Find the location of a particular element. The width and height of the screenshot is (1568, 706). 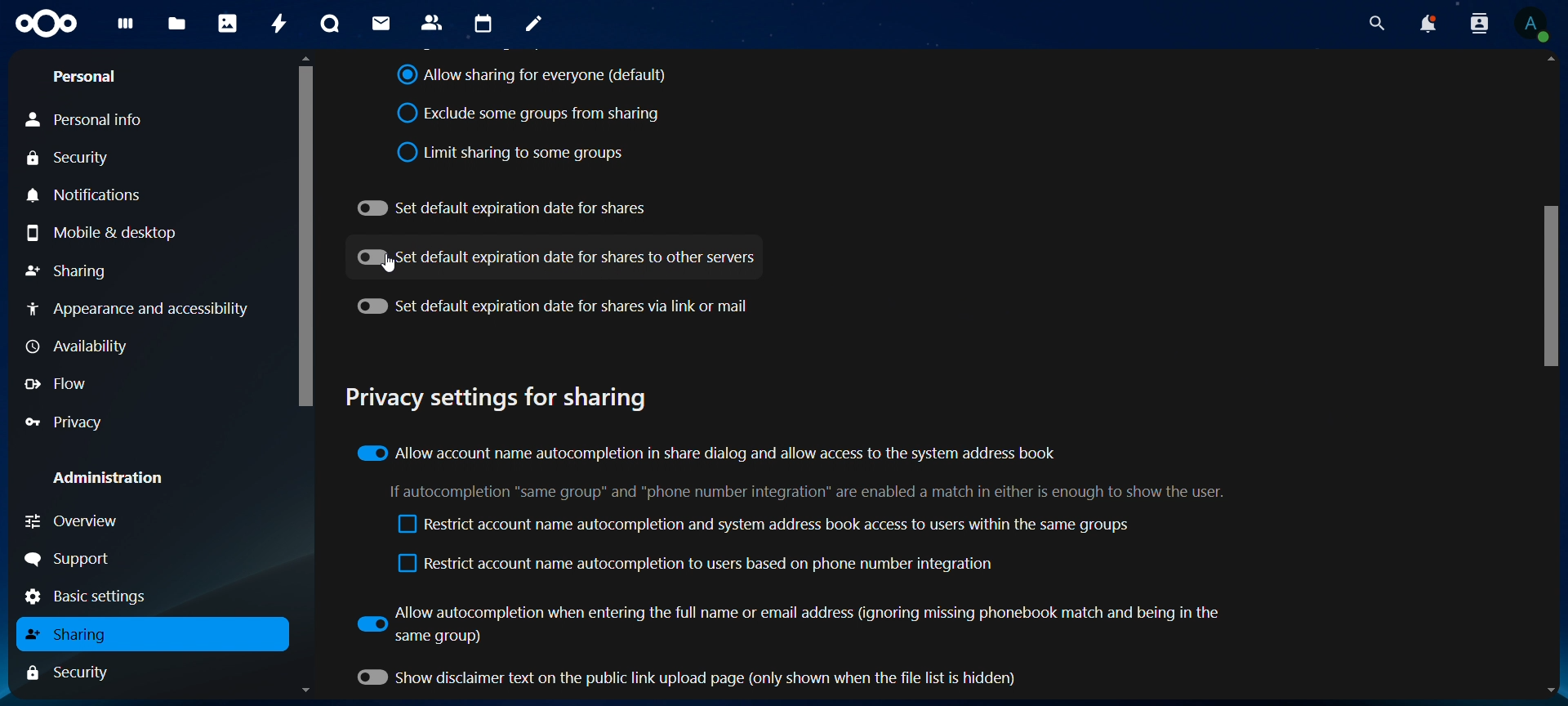

Scrollbar is located at coordinates (1551, 377).